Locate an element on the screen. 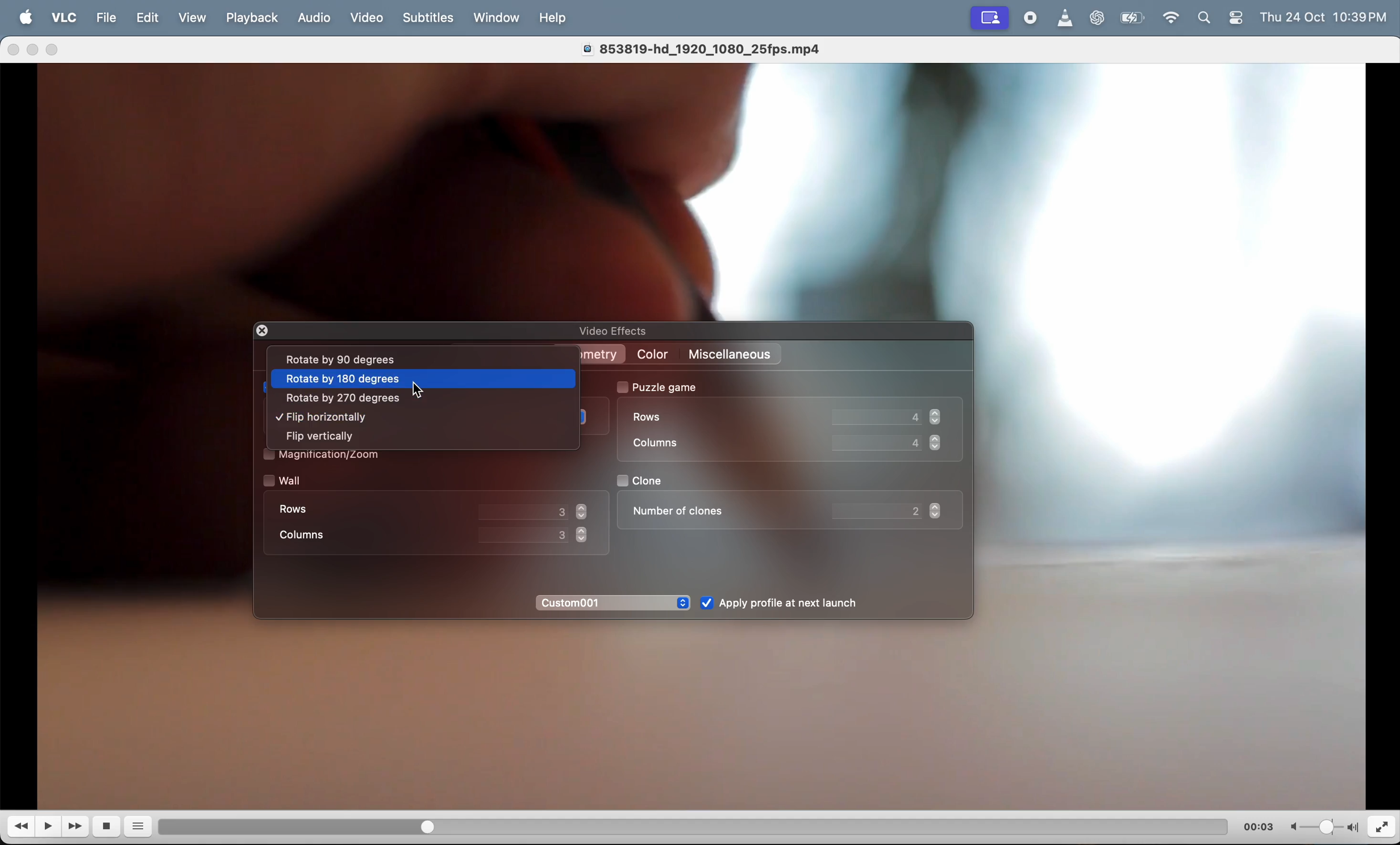 The width and height of the screenshot is (1400, 845). coloumn is located at coordinates (306, 534).